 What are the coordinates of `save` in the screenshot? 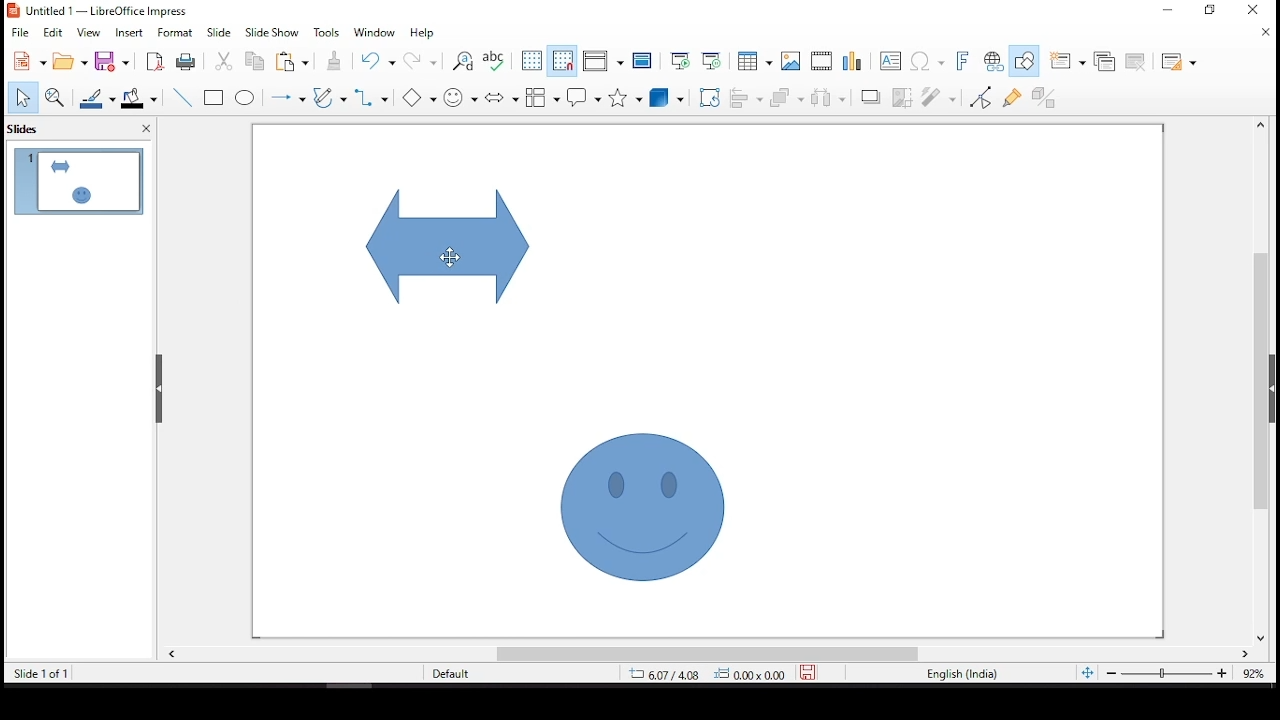 It's located at (808, 673).